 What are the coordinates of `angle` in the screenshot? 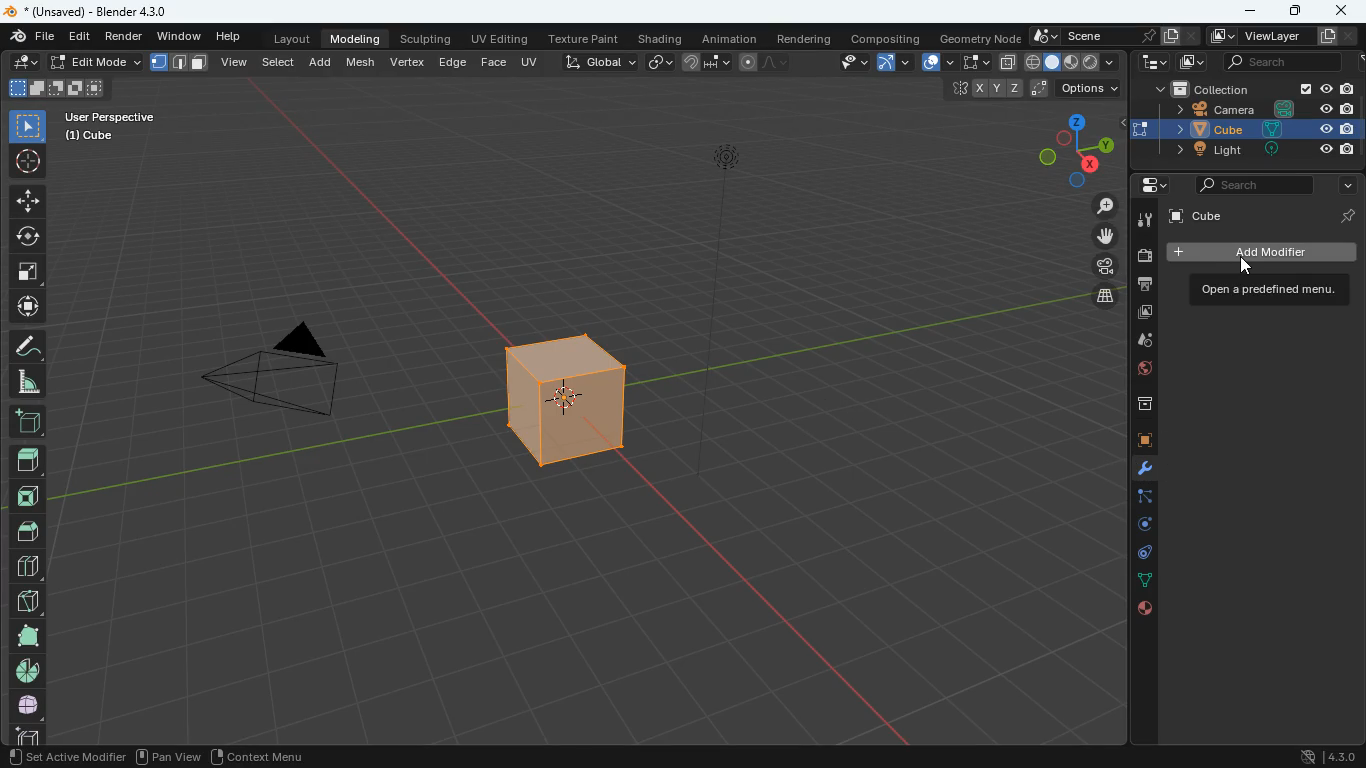 It's located at (25, 381).